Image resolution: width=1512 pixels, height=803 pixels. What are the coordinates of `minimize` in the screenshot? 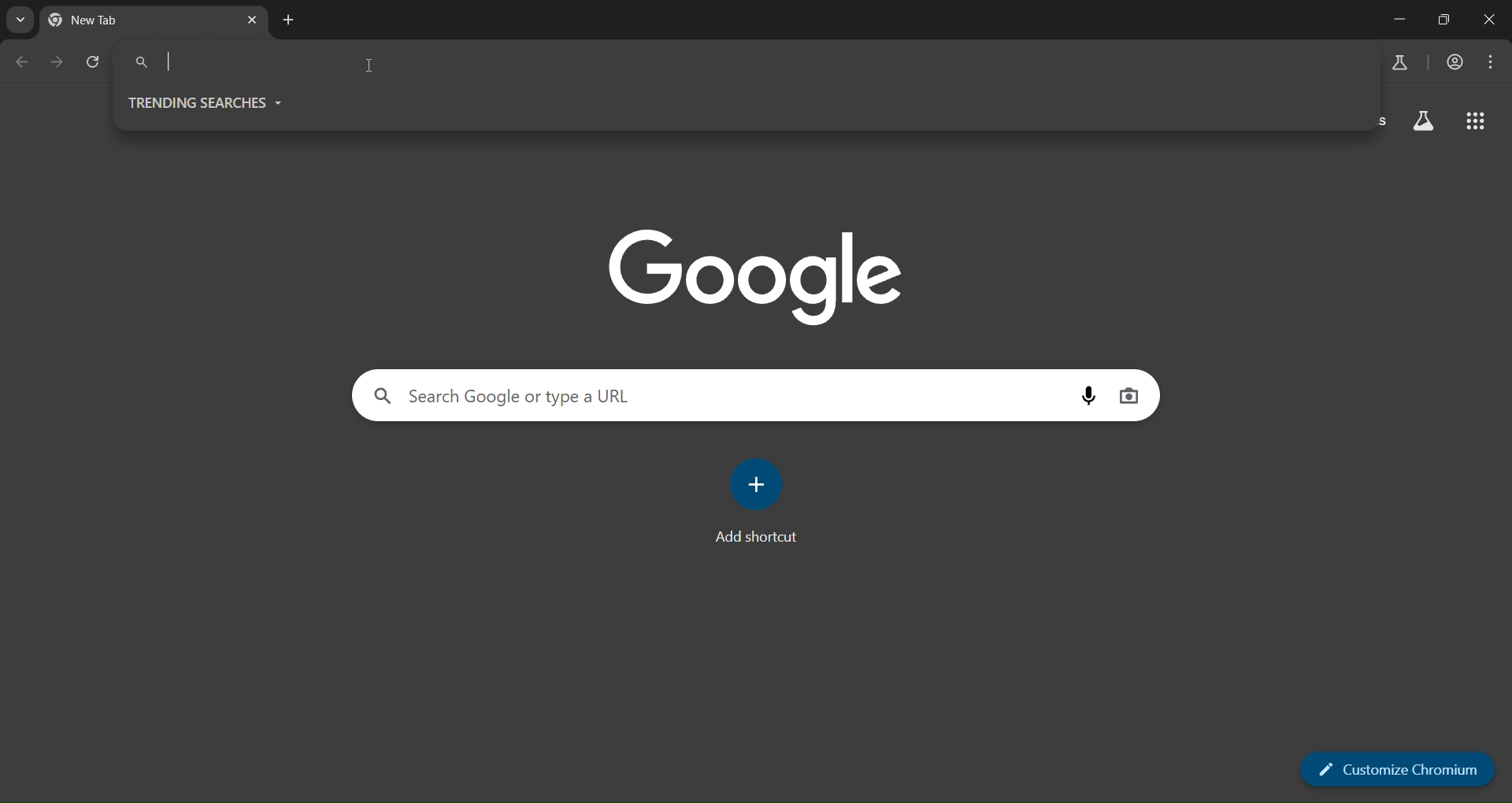 It's located at (1398, 21).